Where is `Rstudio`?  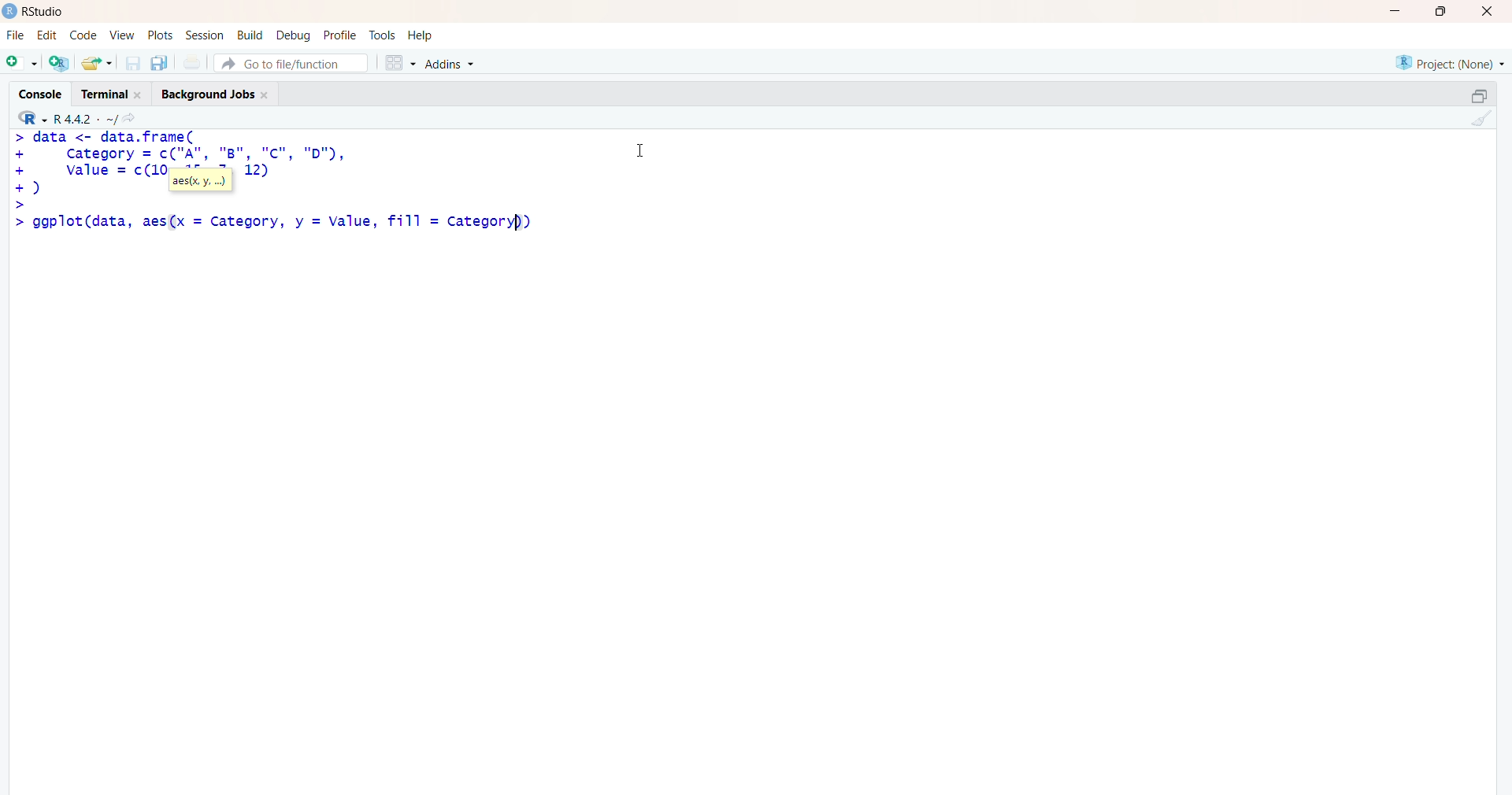
Rstudio is located at coordinates (48, 12).